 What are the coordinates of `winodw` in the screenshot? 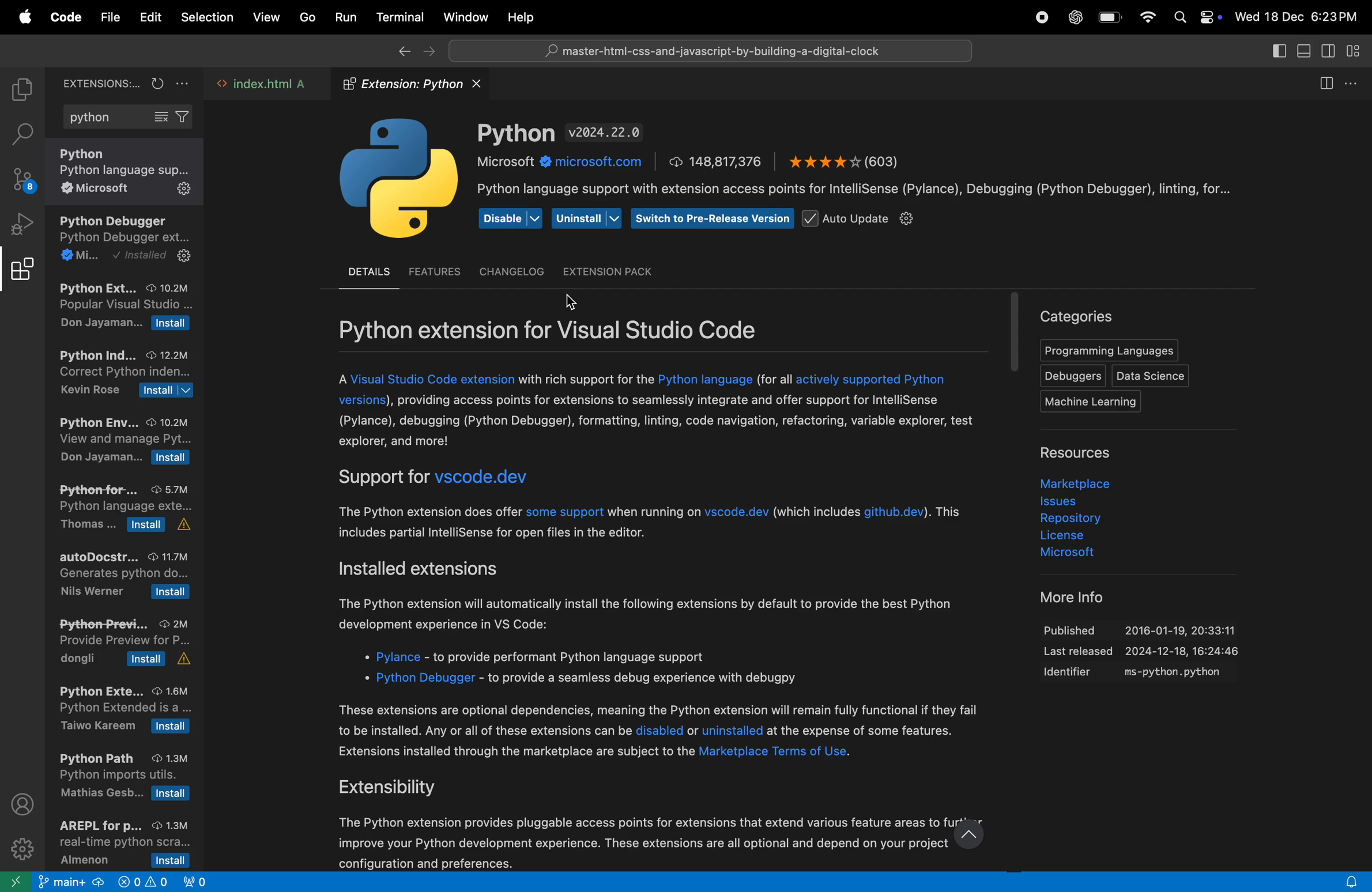 It's located at (465, 17).